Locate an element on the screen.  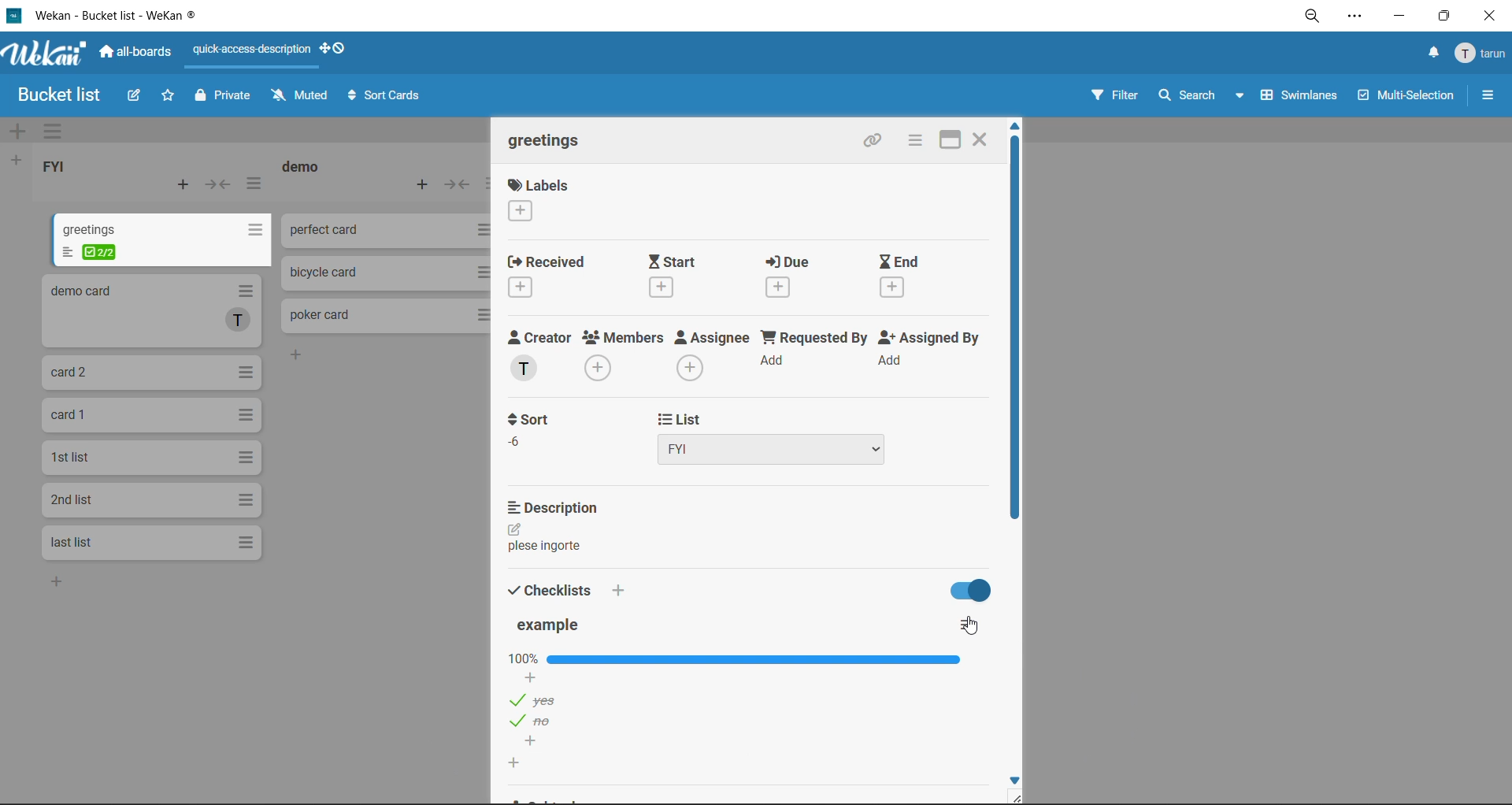
checklists is located at coordinates (554, 590).